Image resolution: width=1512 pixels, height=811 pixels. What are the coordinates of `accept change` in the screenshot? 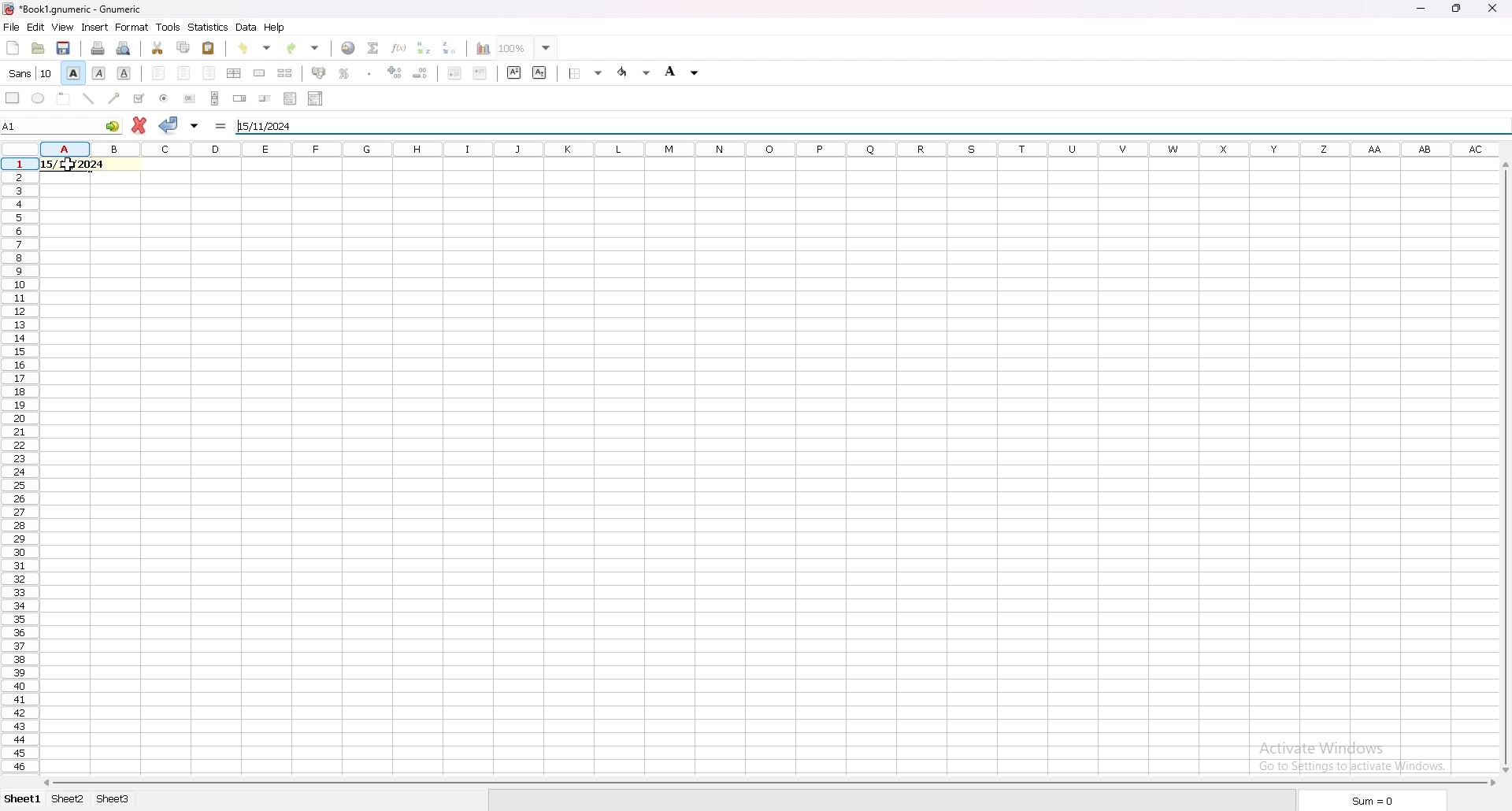 It's located at (169, 125).